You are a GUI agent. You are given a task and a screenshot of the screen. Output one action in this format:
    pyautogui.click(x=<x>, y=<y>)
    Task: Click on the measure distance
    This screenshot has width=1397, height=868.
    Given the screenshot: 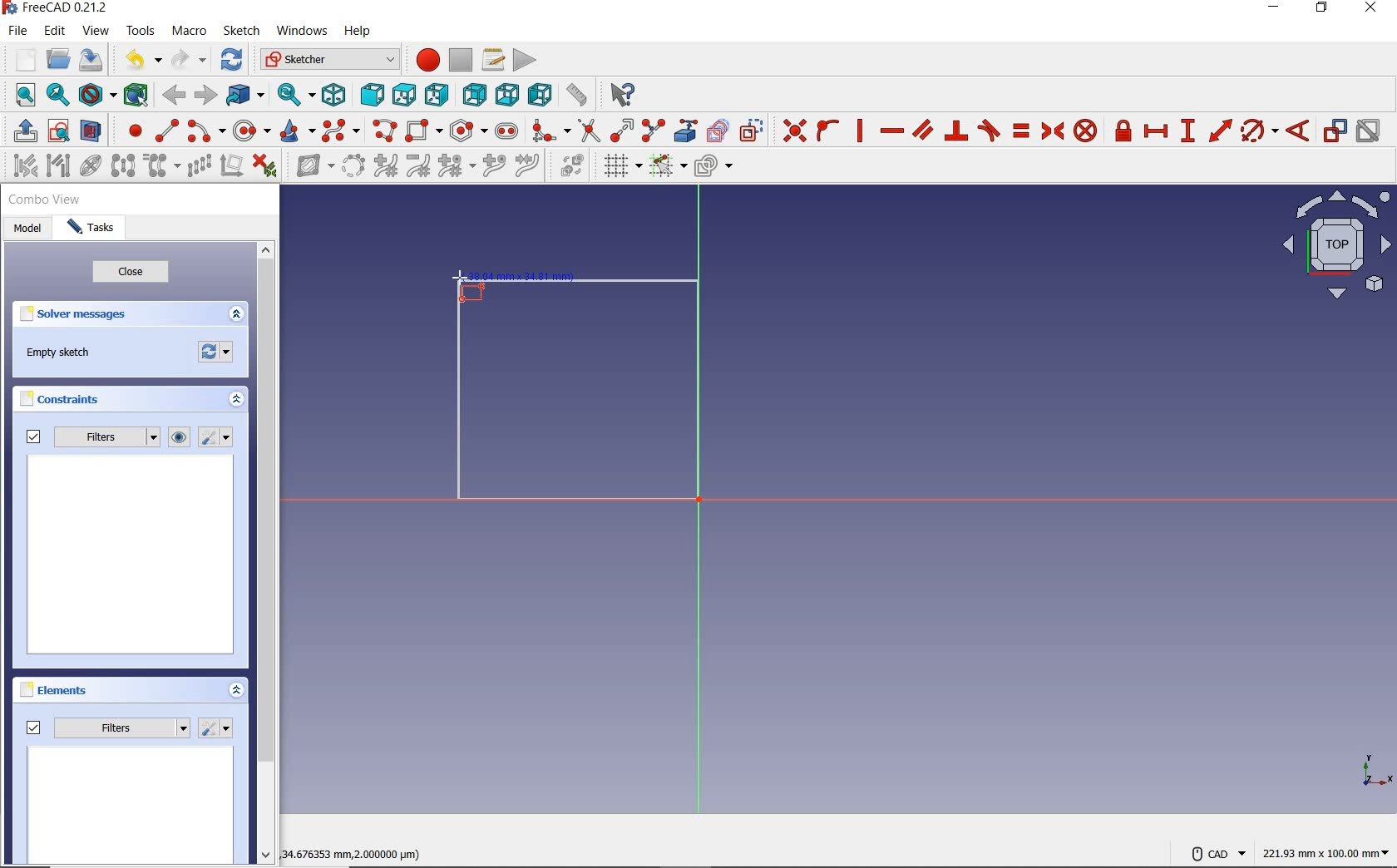 What is the action you would take?
    pyautogui.click(x=576, y=95)
    